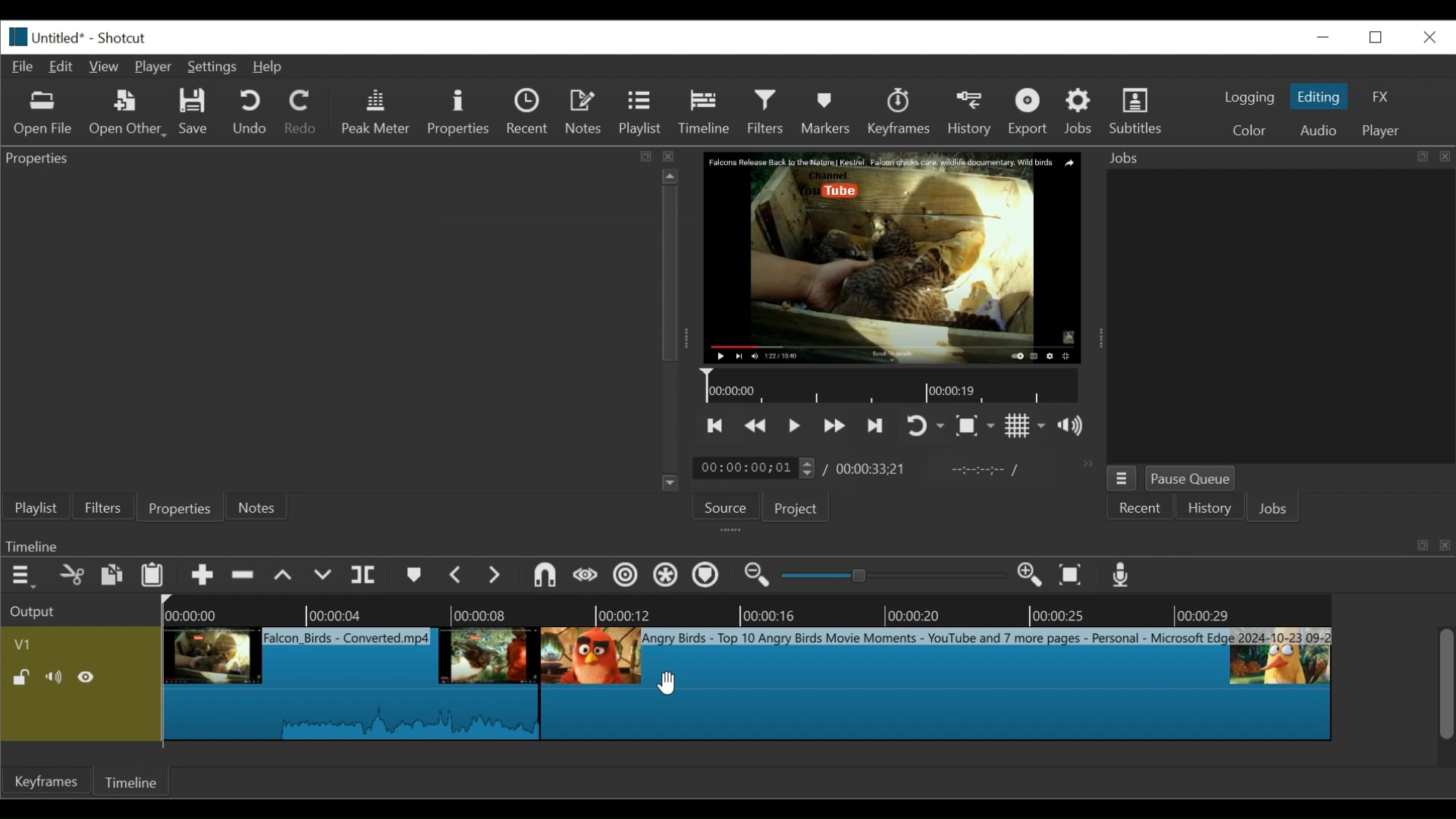 The width and height of the screenshot is (1456, 819). What do you see at coordinates (113, 574) in the screenshot?
I see `Copy` at bounding box center [113, 574].